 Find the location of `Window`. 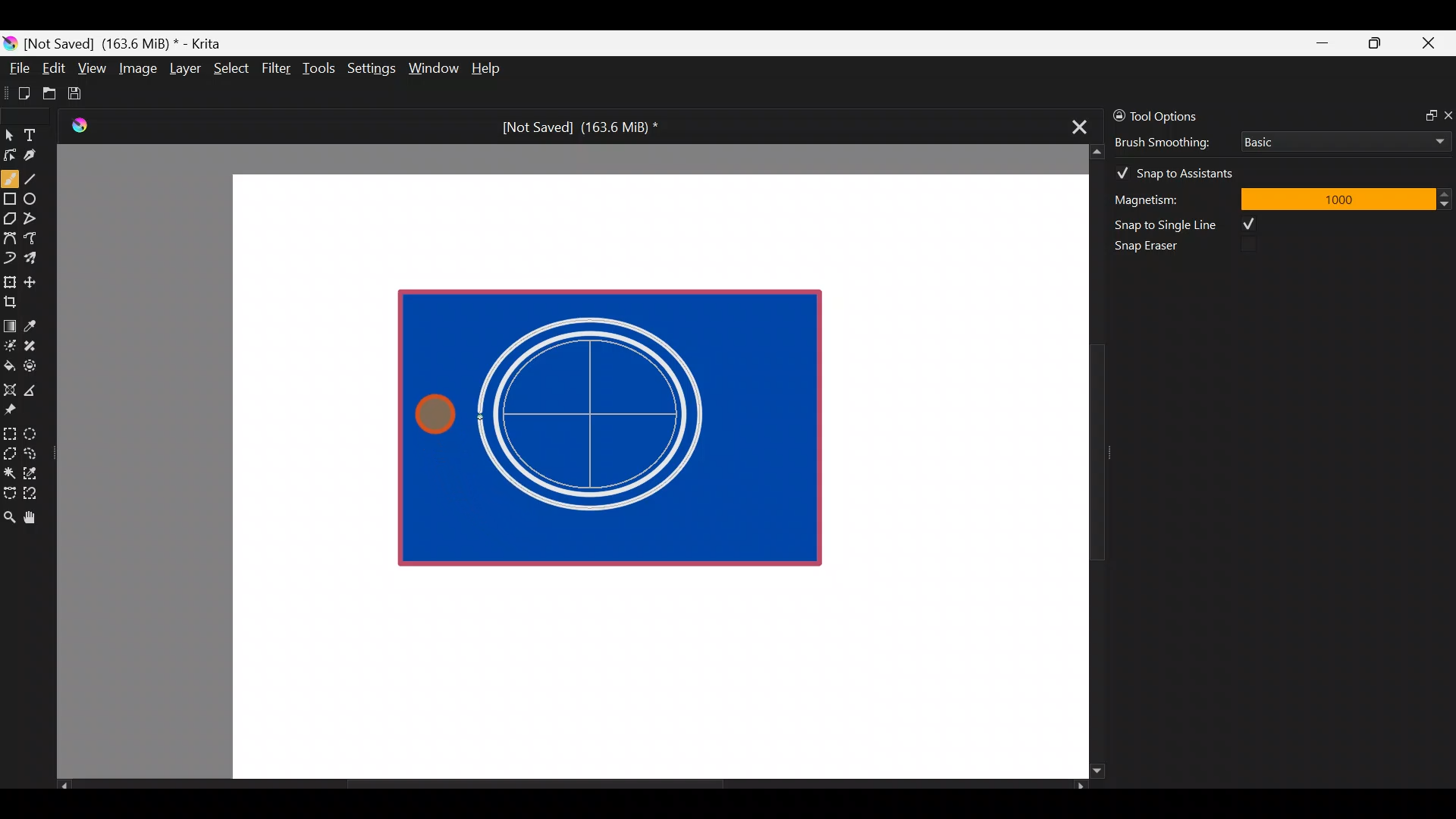

Window is located at coordinates (433, 70).